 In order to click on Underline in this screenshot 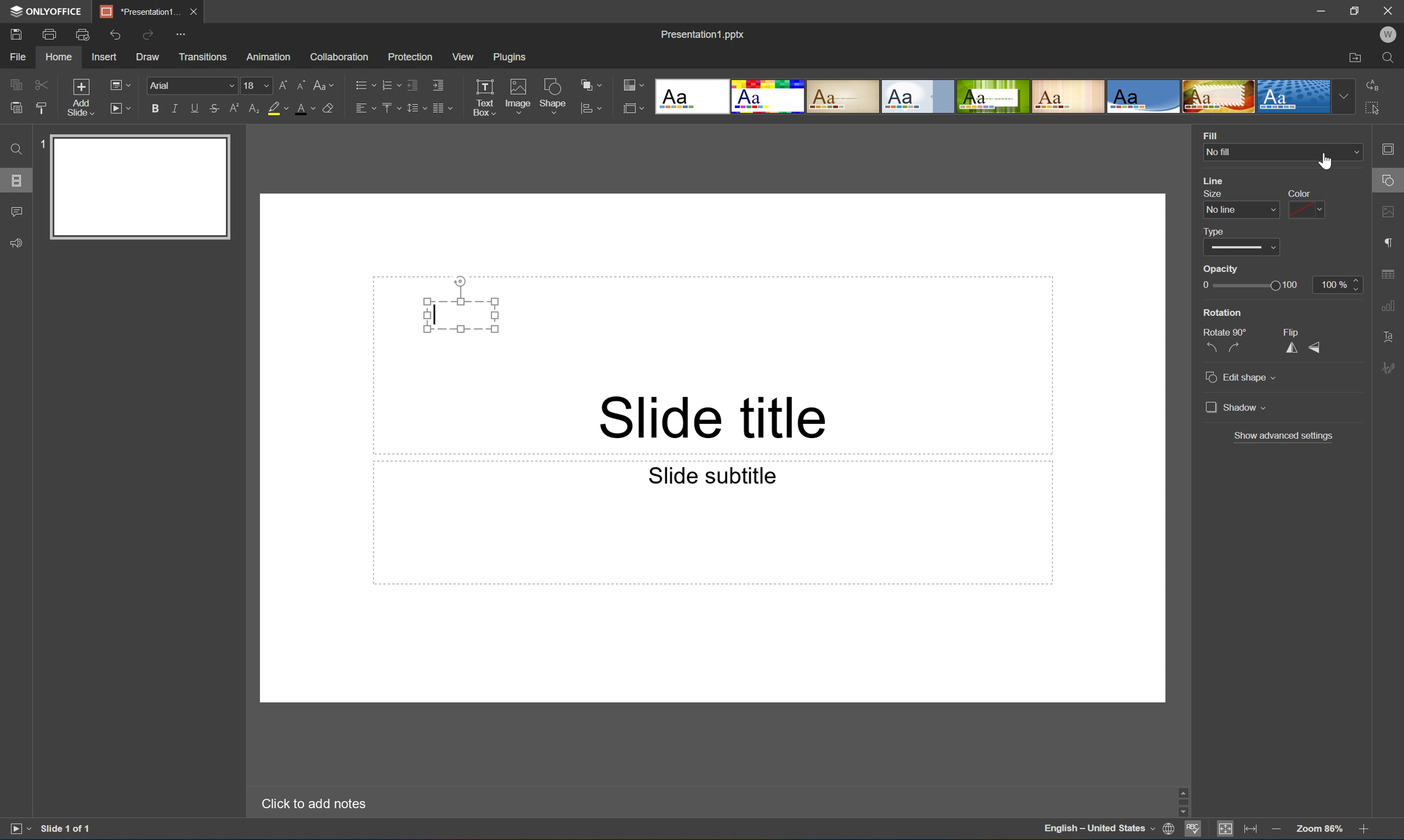, I will do `click(195, 106)`.